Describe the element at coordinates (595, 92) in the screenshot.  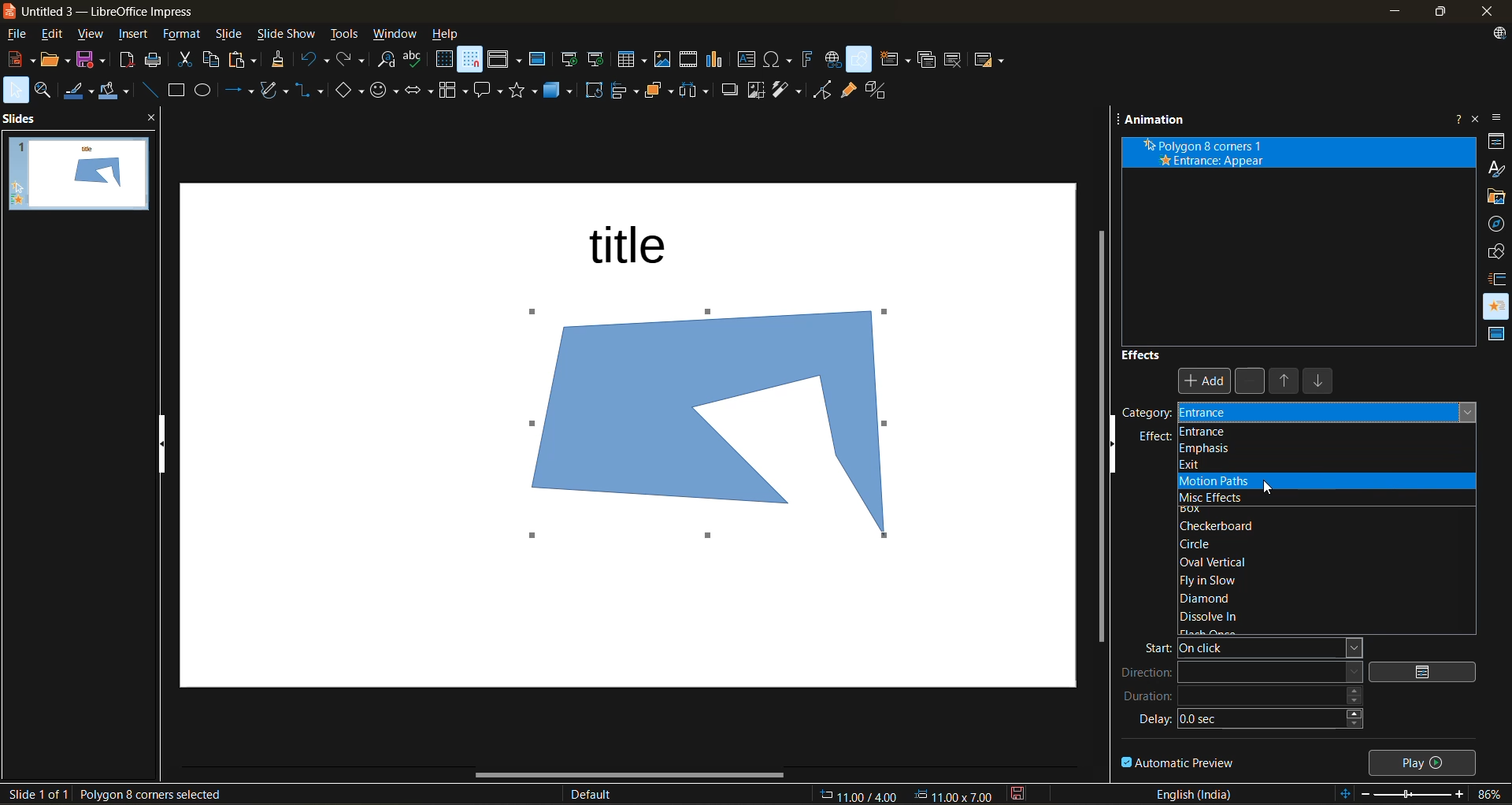
I see `rotate` at that location.